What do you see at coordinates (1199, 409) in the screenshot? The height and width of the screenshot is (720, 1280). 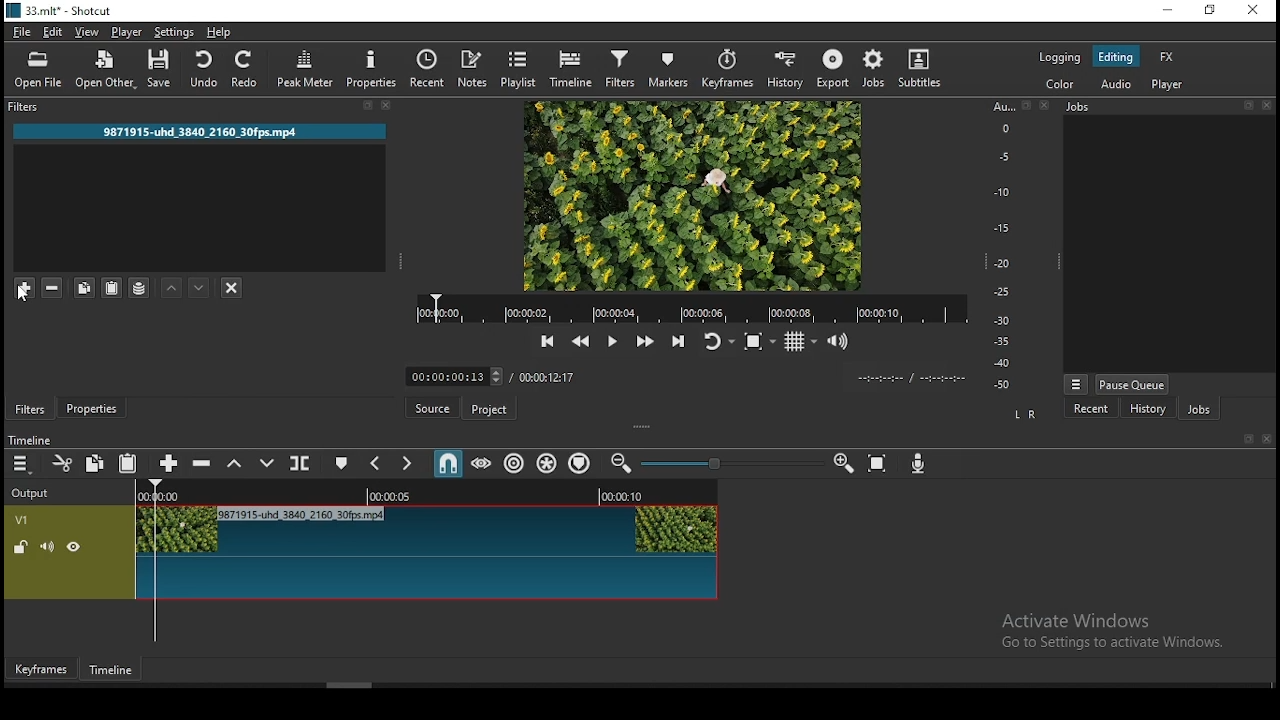 I see `jobs` at bounding box center [1199, 409].